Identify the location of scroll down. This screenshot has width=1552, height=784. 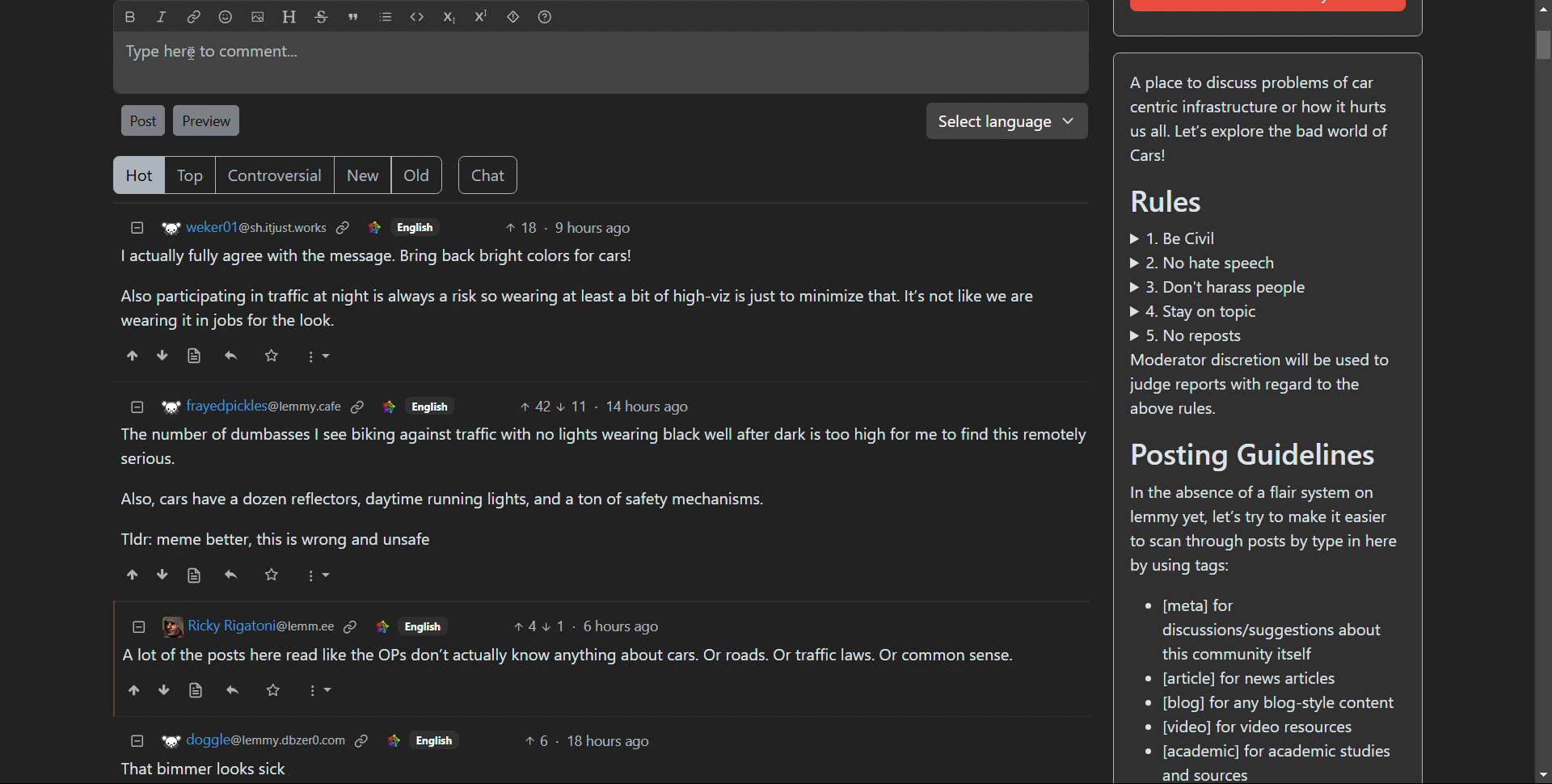
(1542, 775).